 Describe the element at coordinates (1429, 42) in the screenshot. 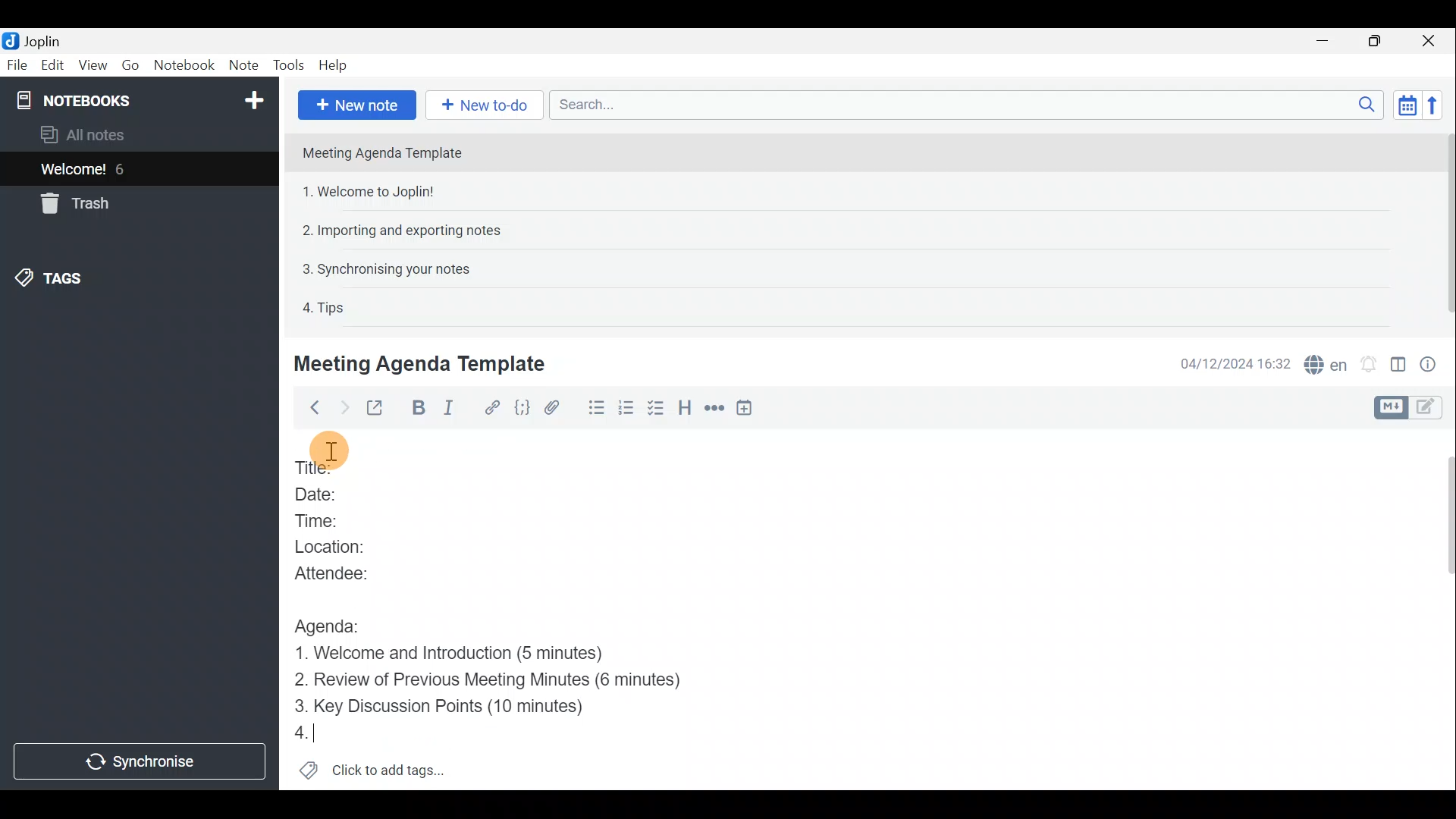

I see `Close` at that location.